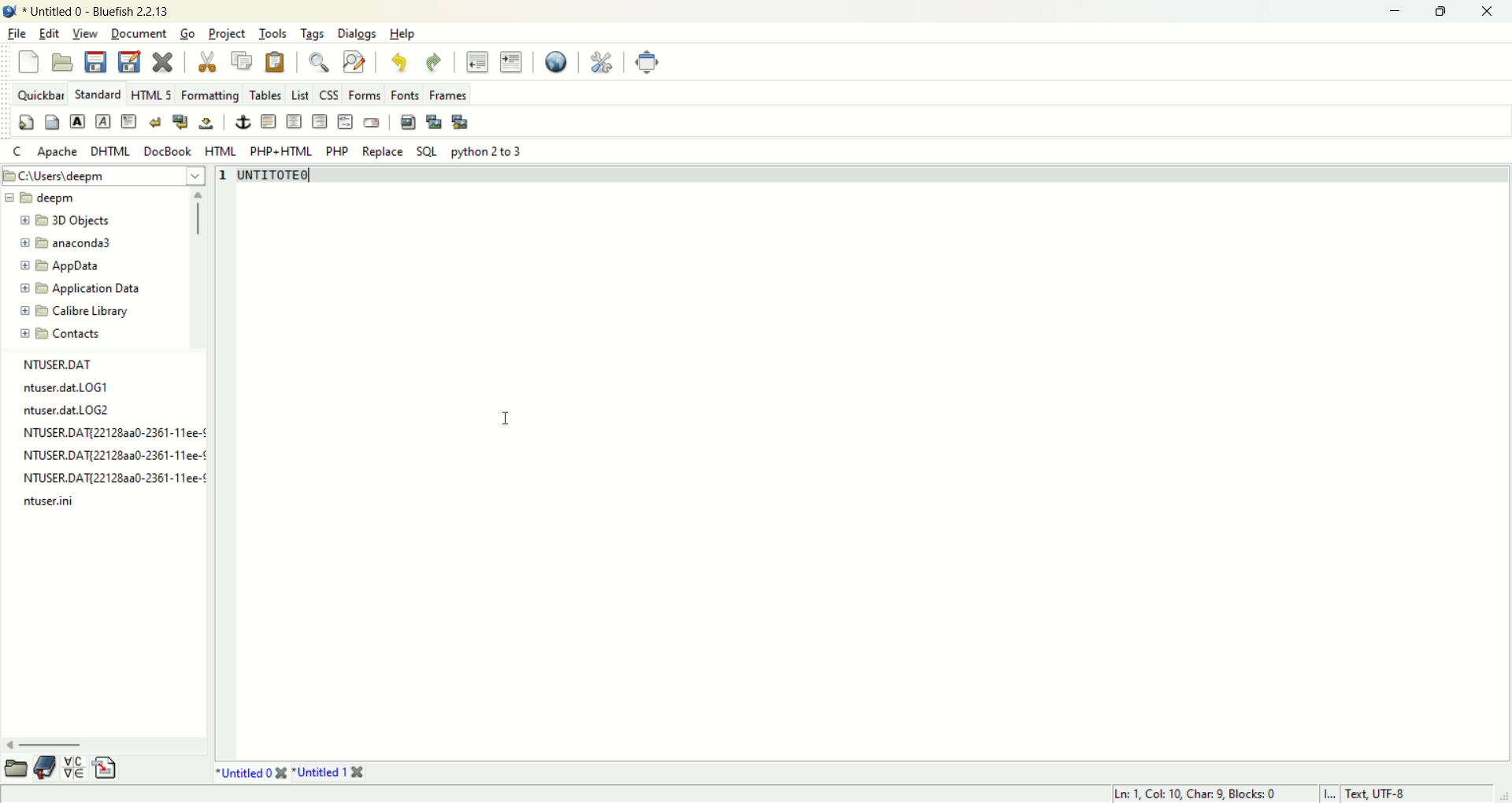 The height and width of the screenshot is (803, 1512). Describe the element at coordinates (335, 774) in the screenshot. I see `untitle1` at that location.